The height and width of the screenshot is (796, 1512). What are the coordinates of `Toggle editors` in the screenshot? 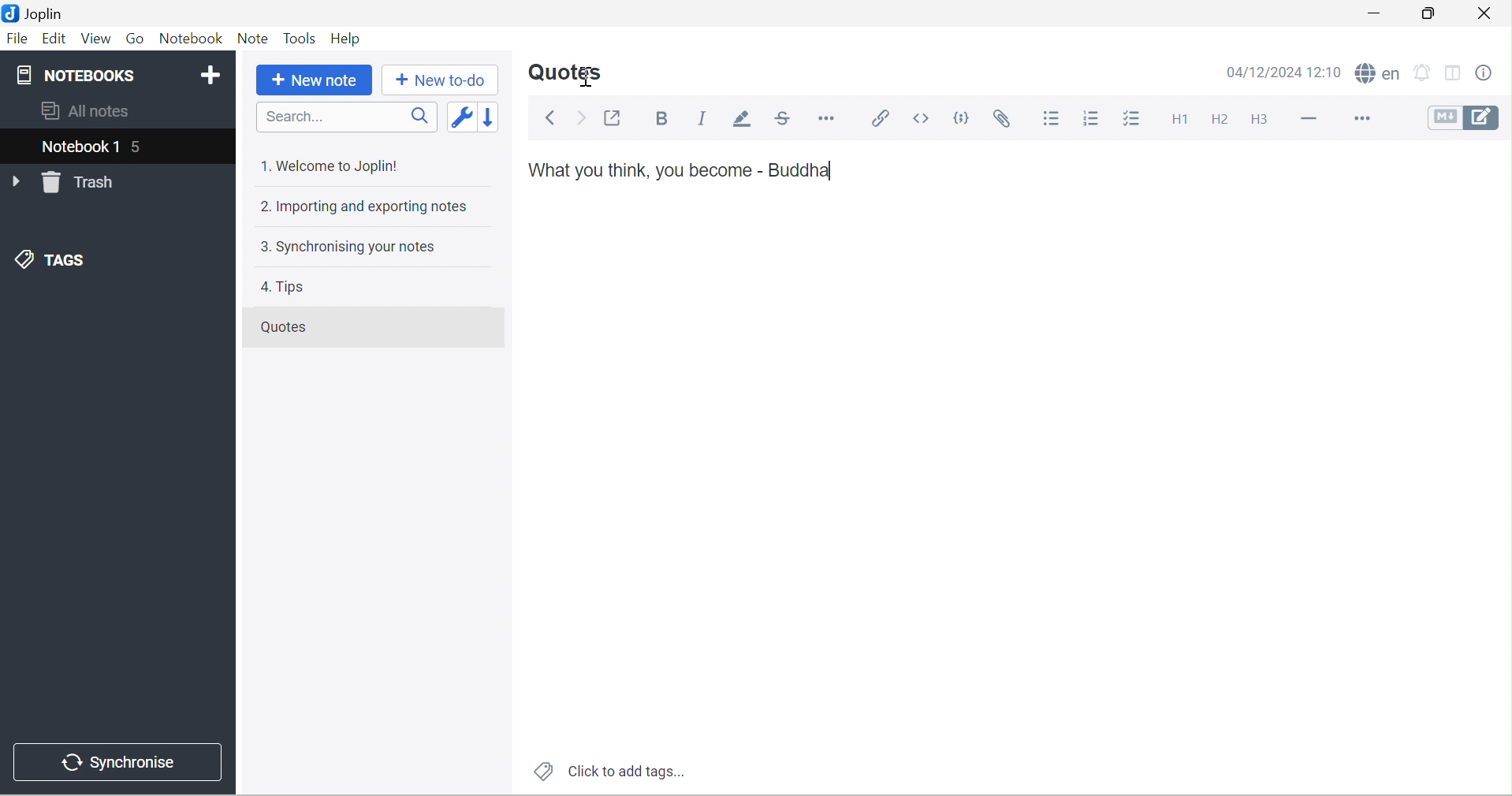 It's located at (1468, 119).